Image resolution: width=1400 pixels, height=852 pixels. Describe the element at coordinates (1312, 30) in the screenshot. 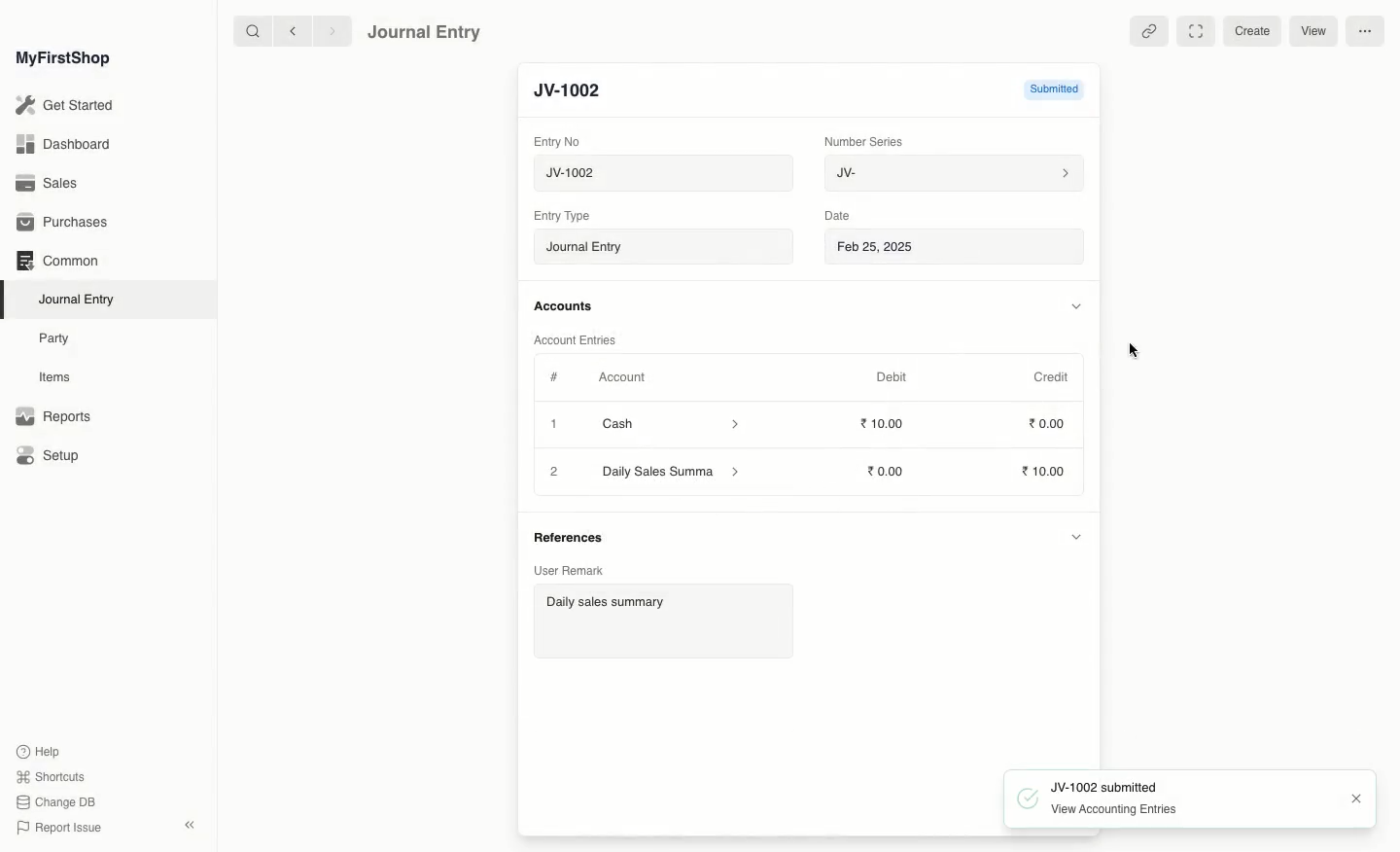

I see `View` at that location.